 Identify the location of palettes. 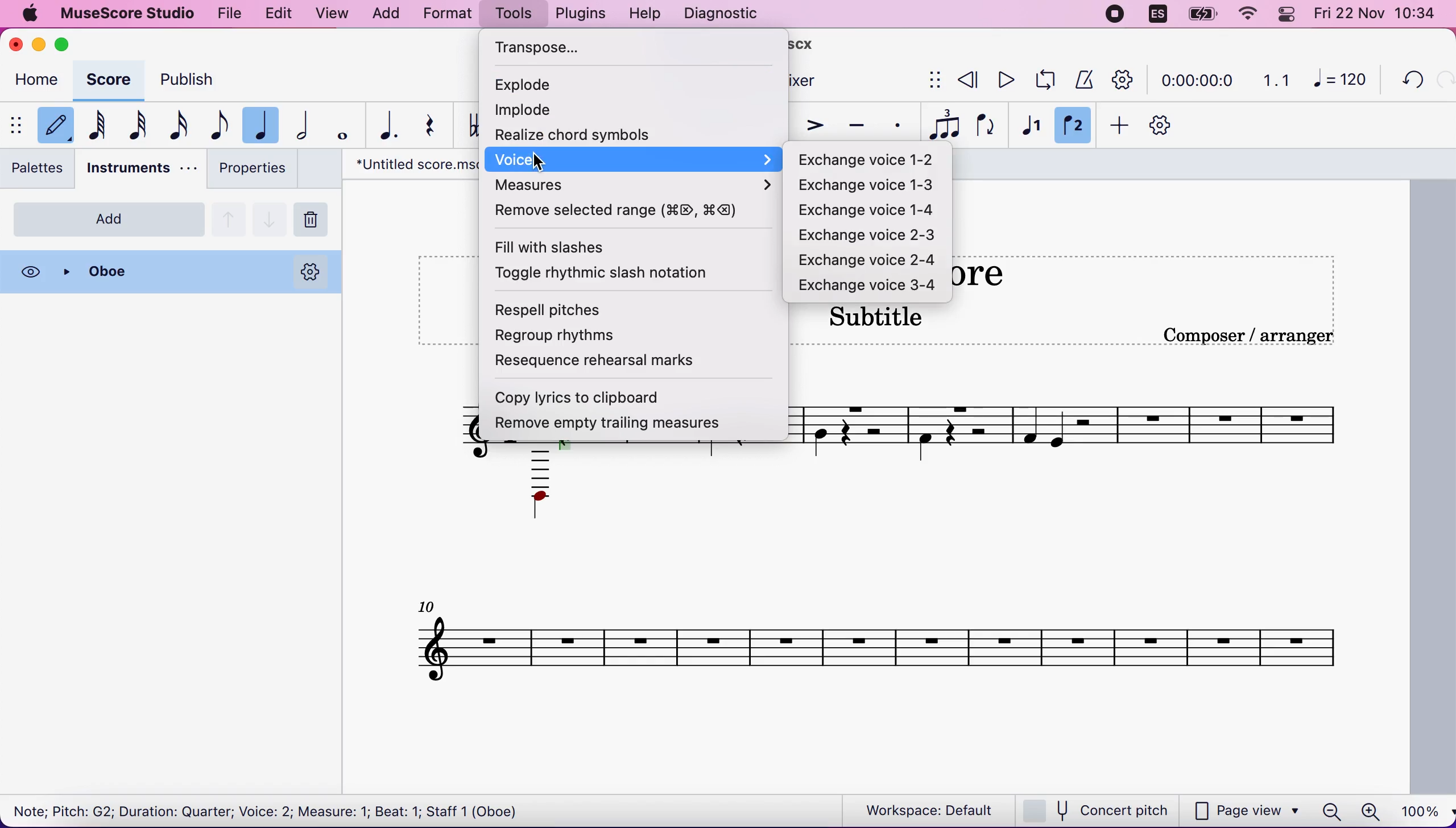
(39, 168).